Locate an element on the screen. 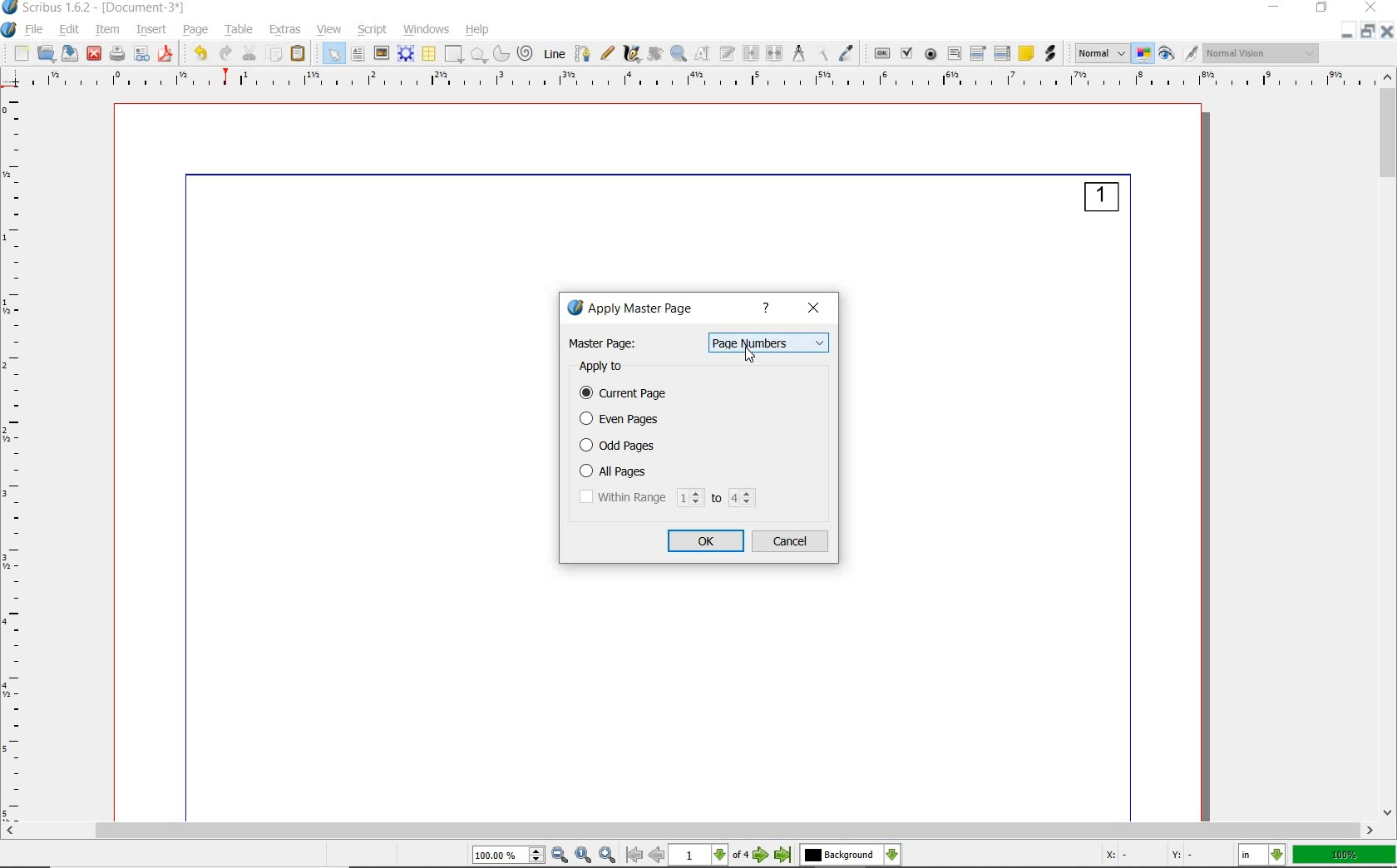  rotate item is located at coordinates (654, 54).